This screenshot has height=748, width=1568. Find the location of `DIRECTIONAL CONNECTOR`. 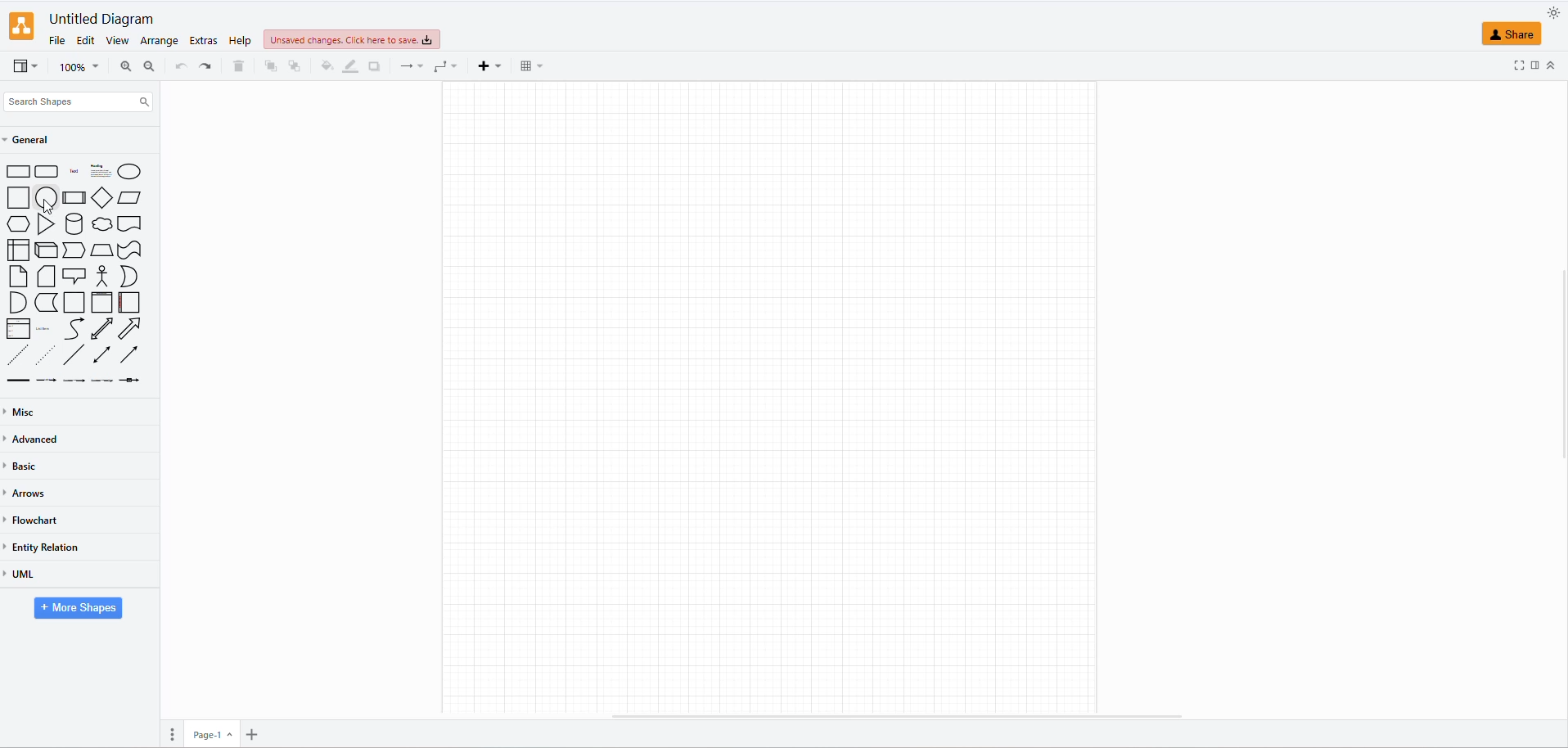

DIRECTIONAL CONNECTOR is located at coordinates (127, 355).